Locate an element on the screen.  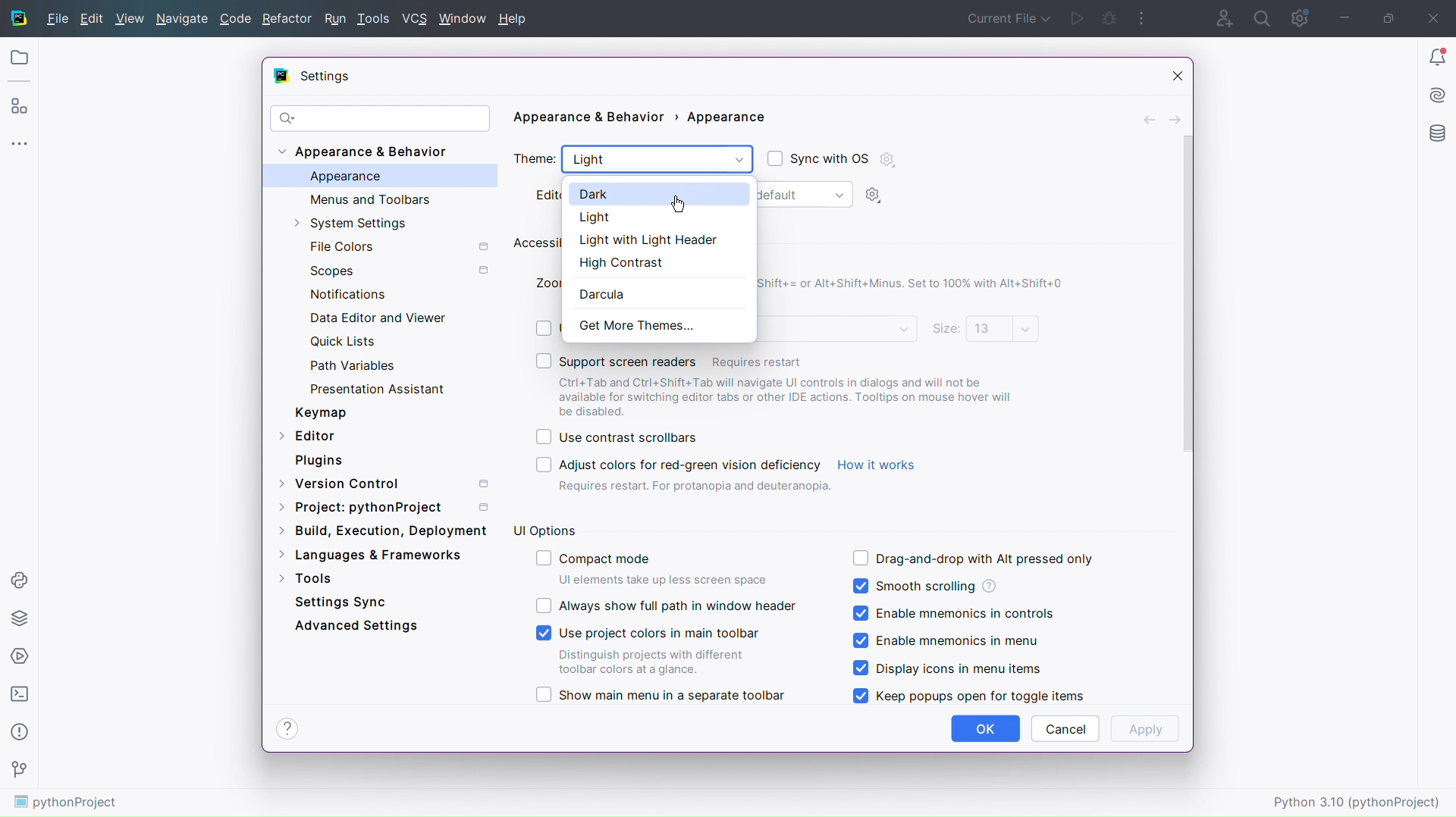
Tools is located at coordinates (375, 19).